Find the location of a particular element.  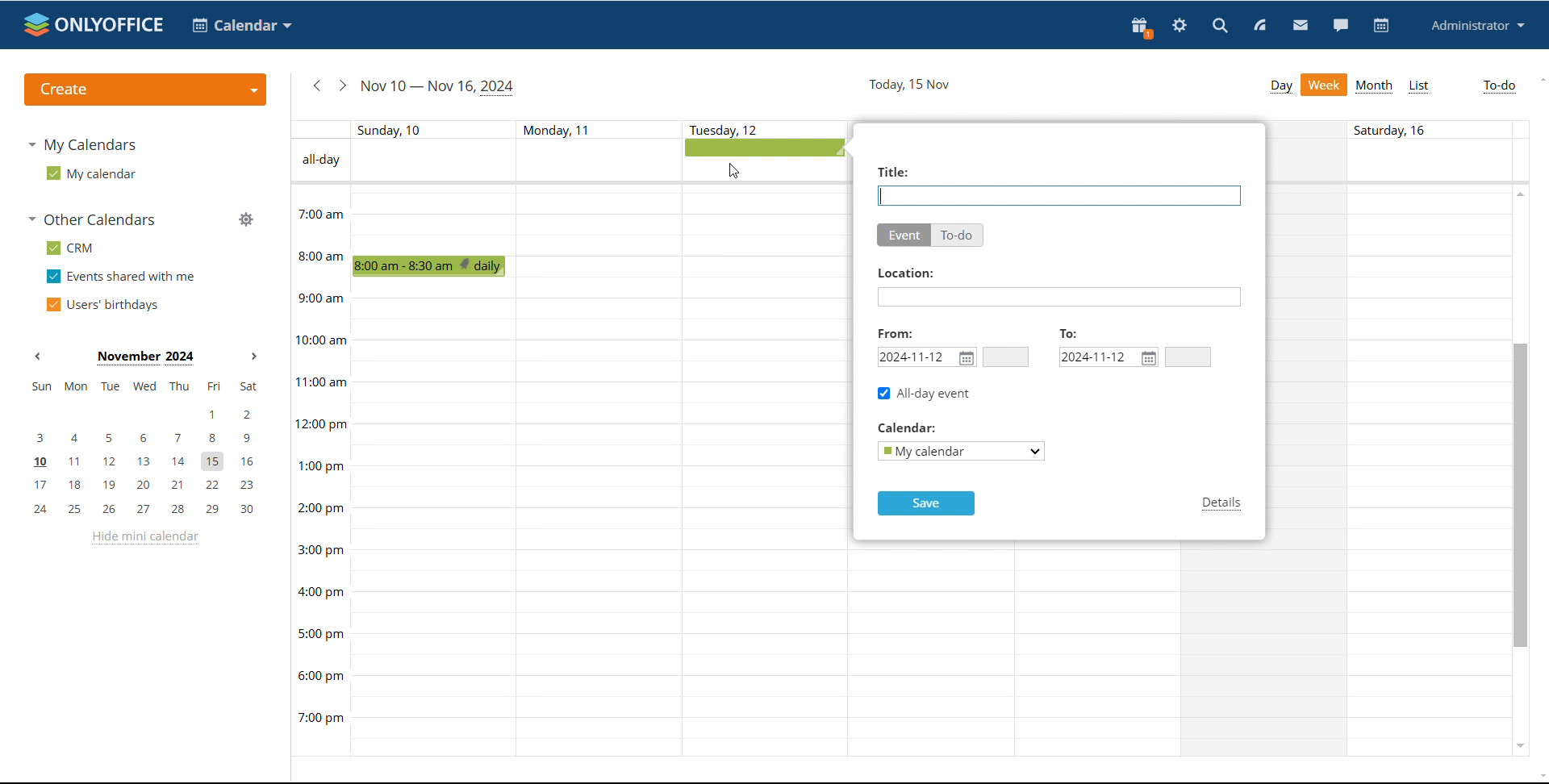

To is located at coordinates (1066, 331).